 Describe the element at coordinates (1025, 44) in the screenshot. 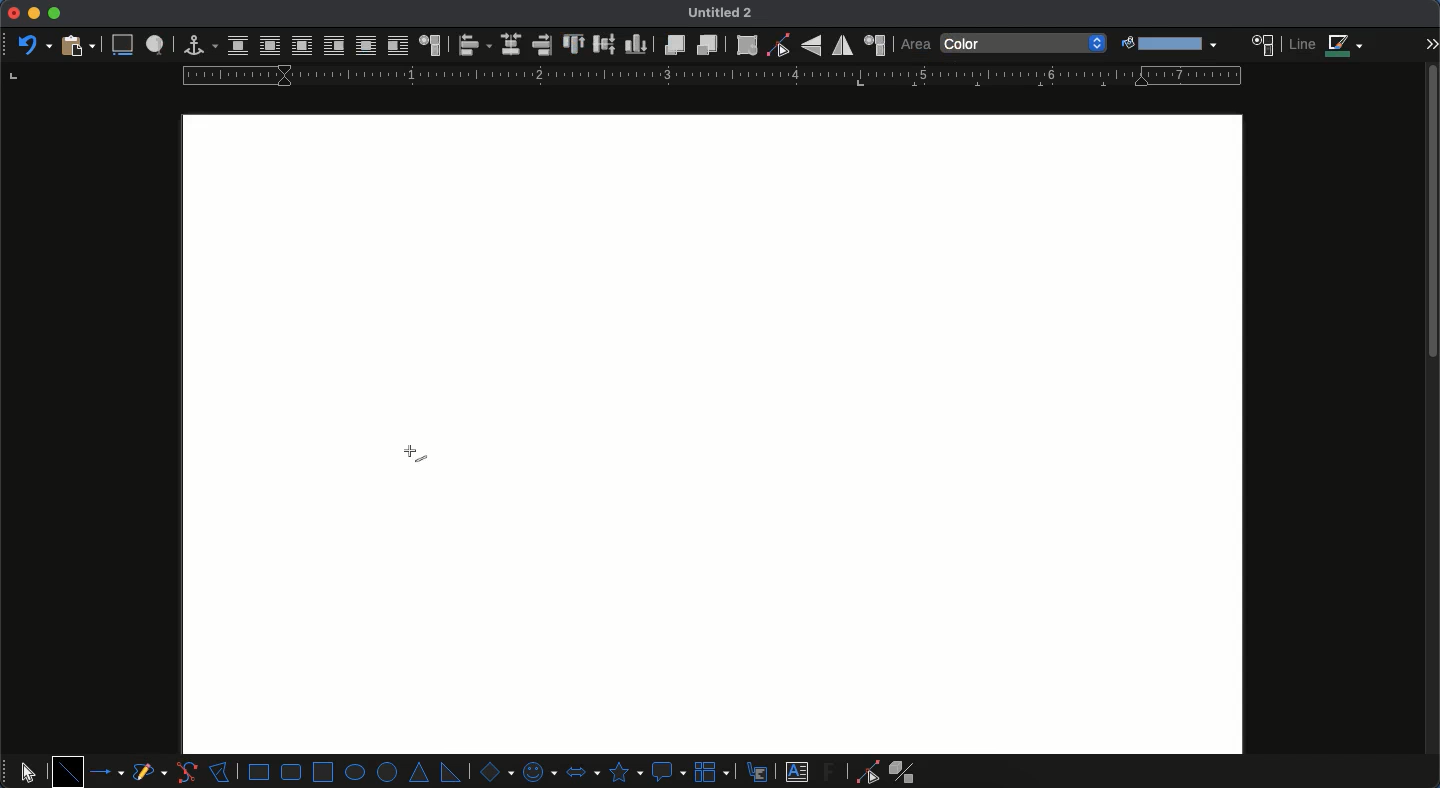

I see `color` at that location.